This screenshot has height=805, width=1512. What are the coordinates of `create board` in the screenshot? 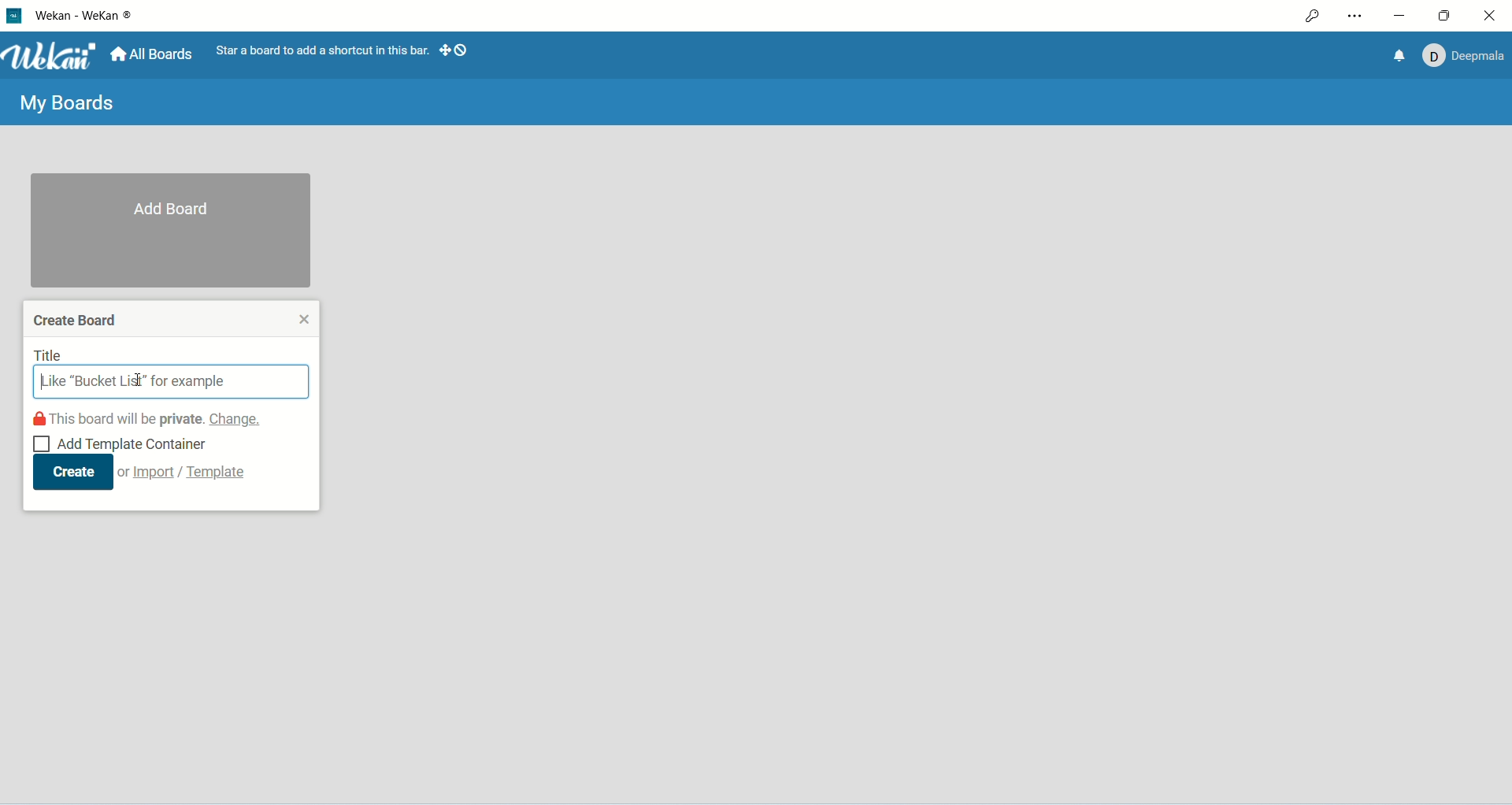 It's located at (74, 321).